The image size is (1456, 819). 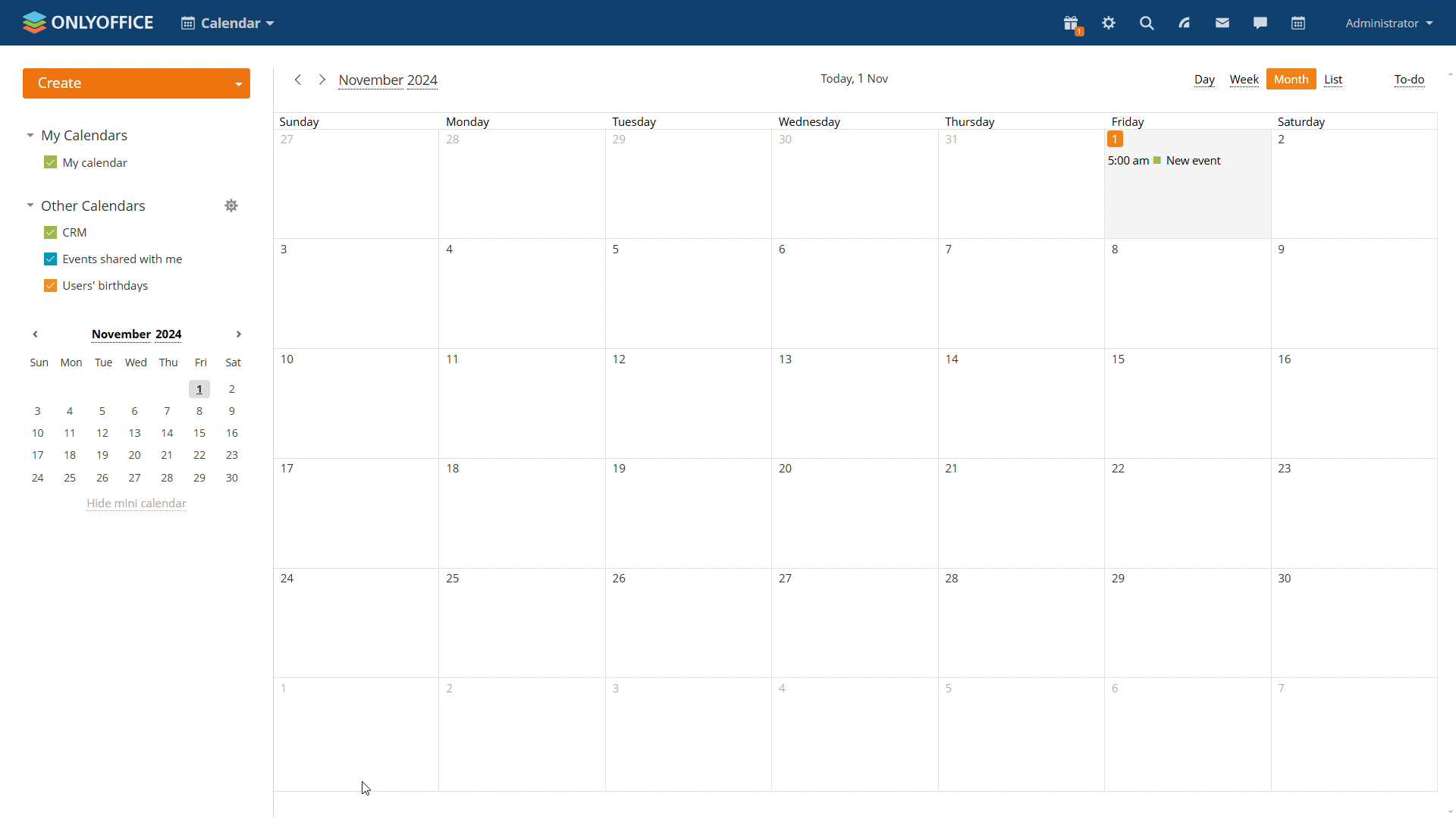 What do you see at coordinates (850, 452) in the screenshot?
I see `Wednesdays` at bounding box center [850, 452].